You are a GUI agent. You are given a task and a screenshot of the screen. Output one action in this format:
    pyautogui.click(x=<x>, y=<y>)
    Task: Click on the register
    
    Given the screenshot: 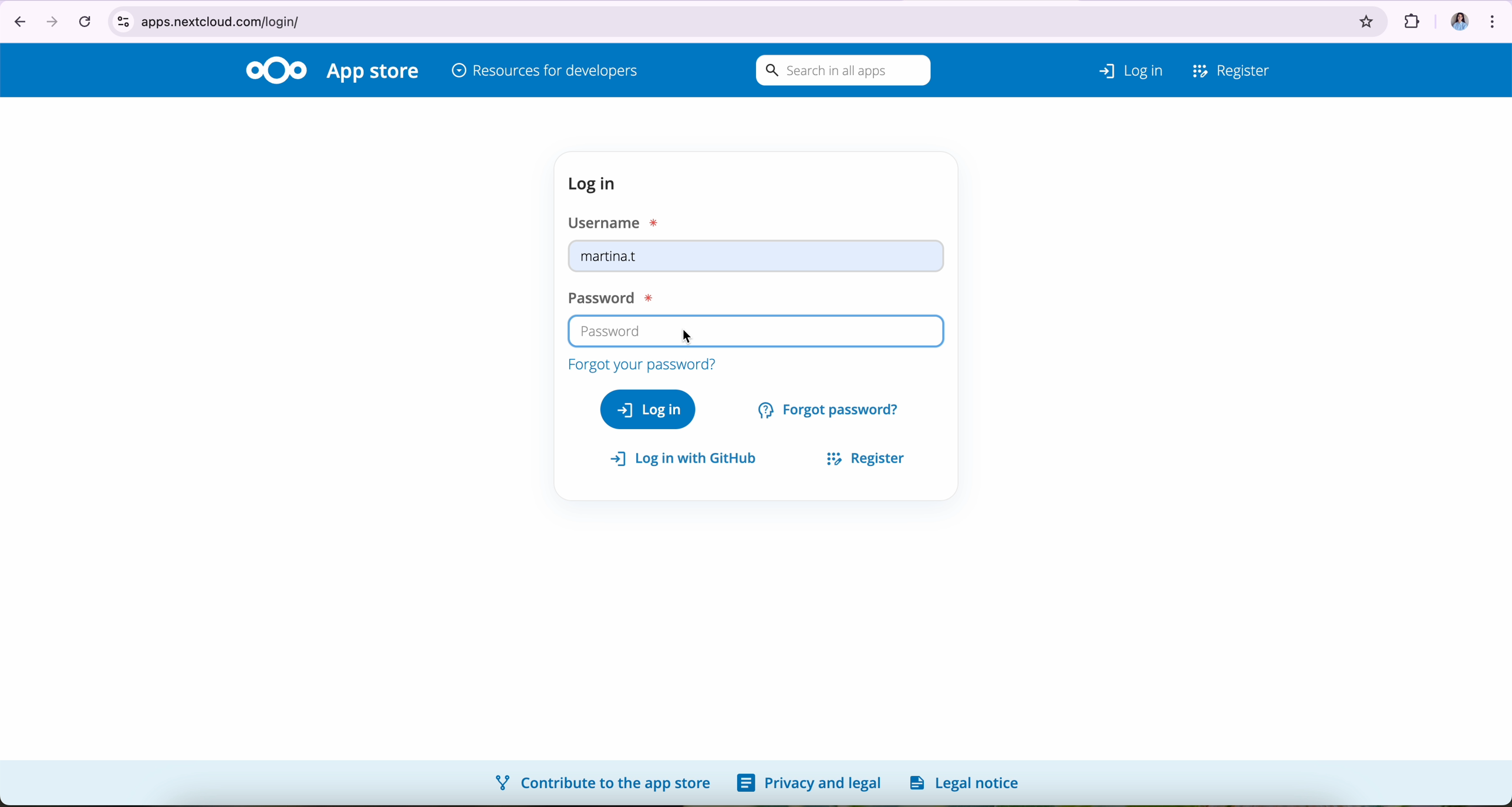 What is the action you would take?
    pyautogui.click(x=1232, y=68)
    